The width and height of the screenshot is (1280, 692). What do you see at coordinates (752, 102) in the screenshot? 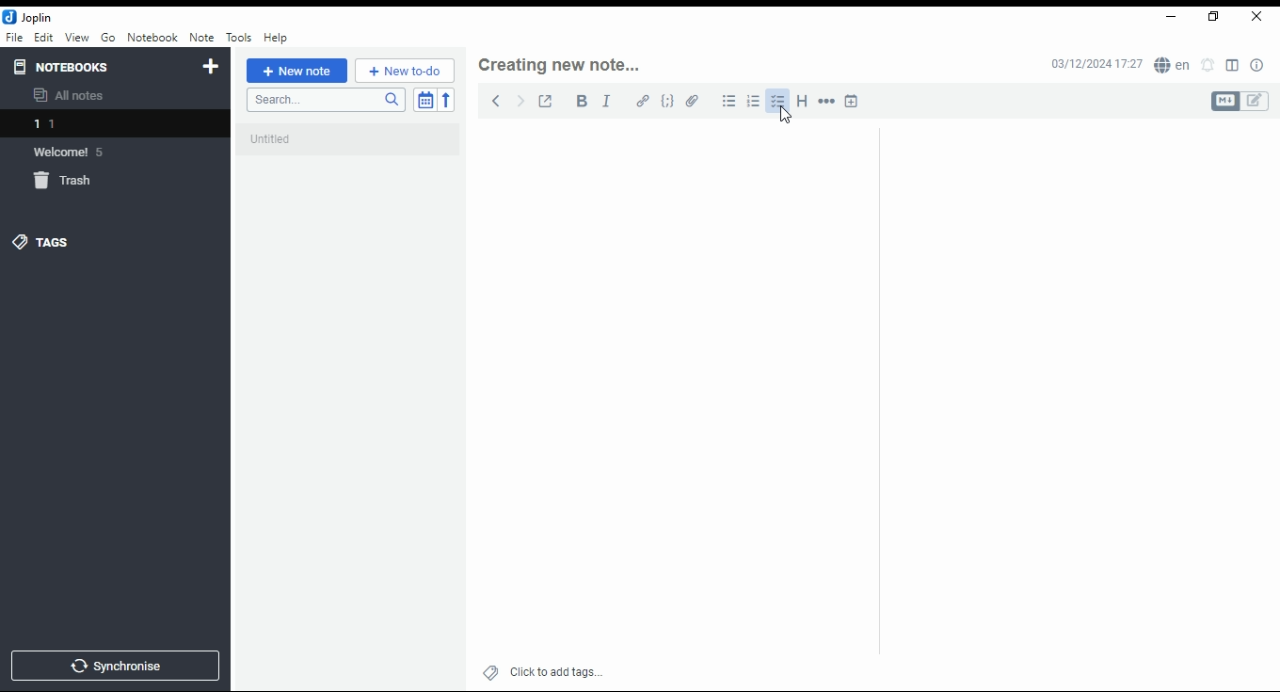
I see `numbered list` at bounding box center [752, 102].